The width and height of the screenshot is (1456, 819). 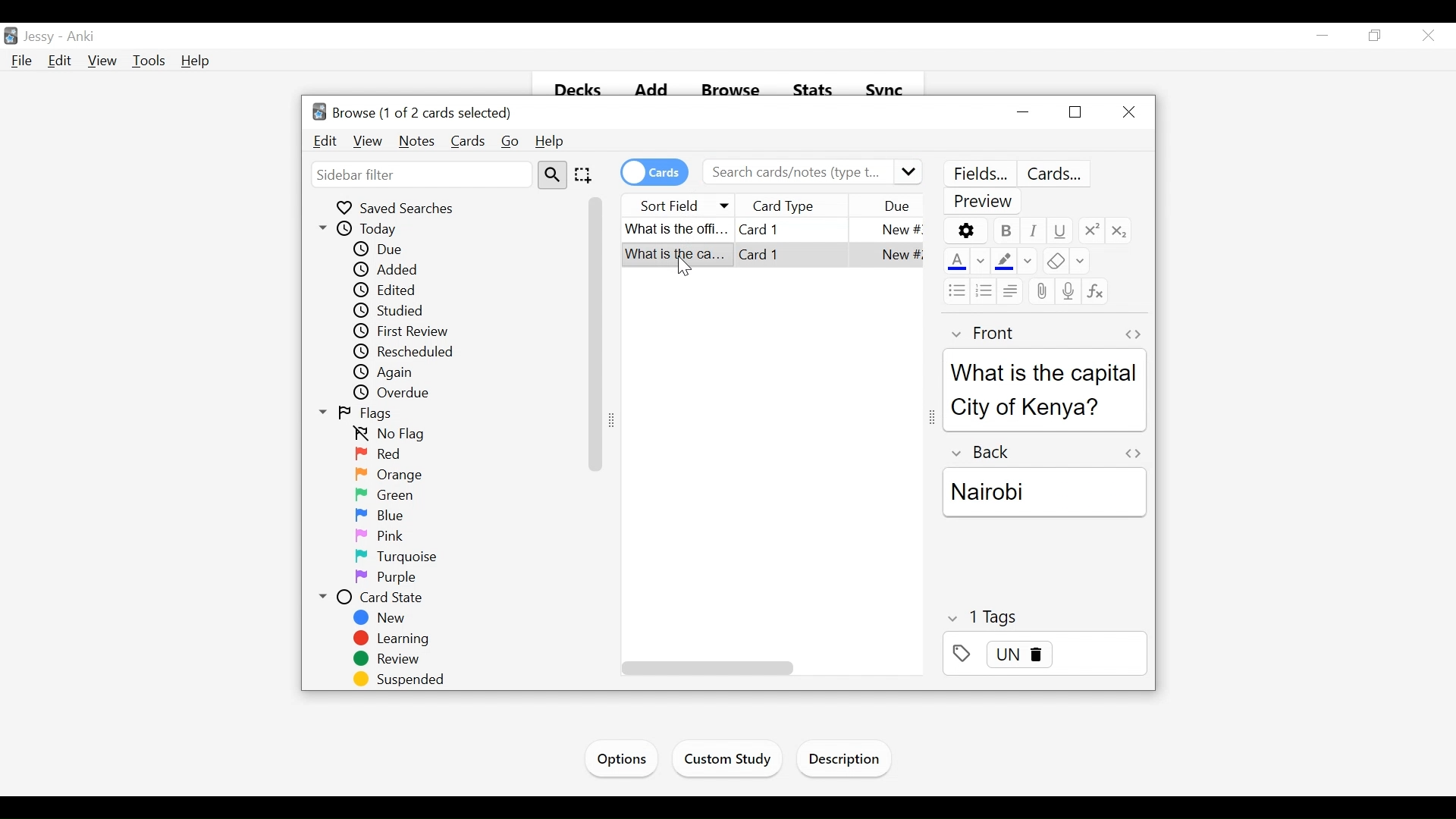 What do you see at coordinates (1057, 174) in the screenshot?
I see `customize card Template` at bounding box center [1057, 174].